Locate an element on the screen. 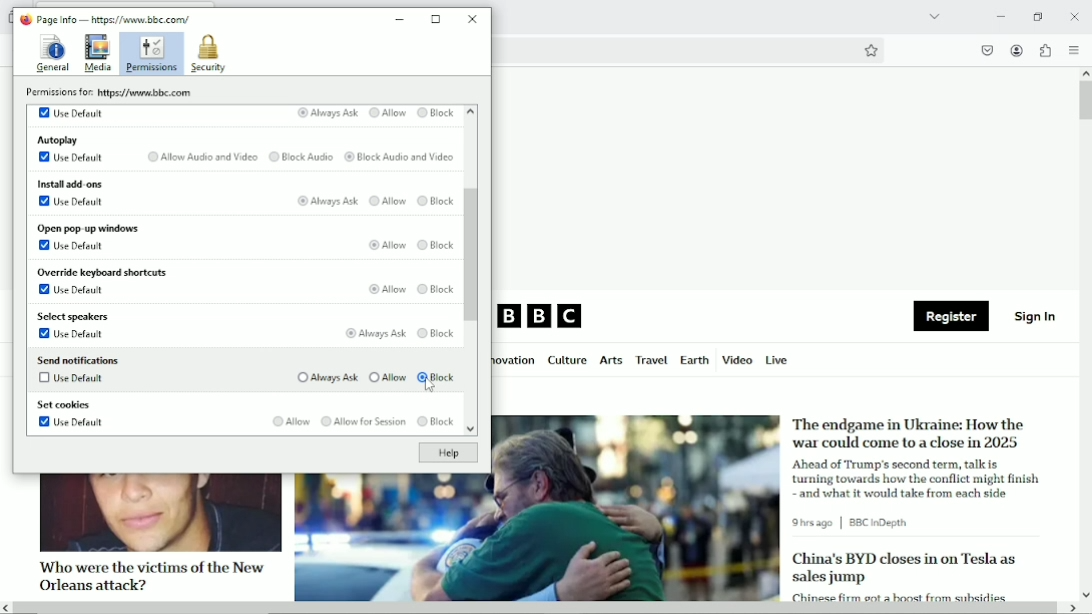  Block audio and video is located at coordinates (399, 158).